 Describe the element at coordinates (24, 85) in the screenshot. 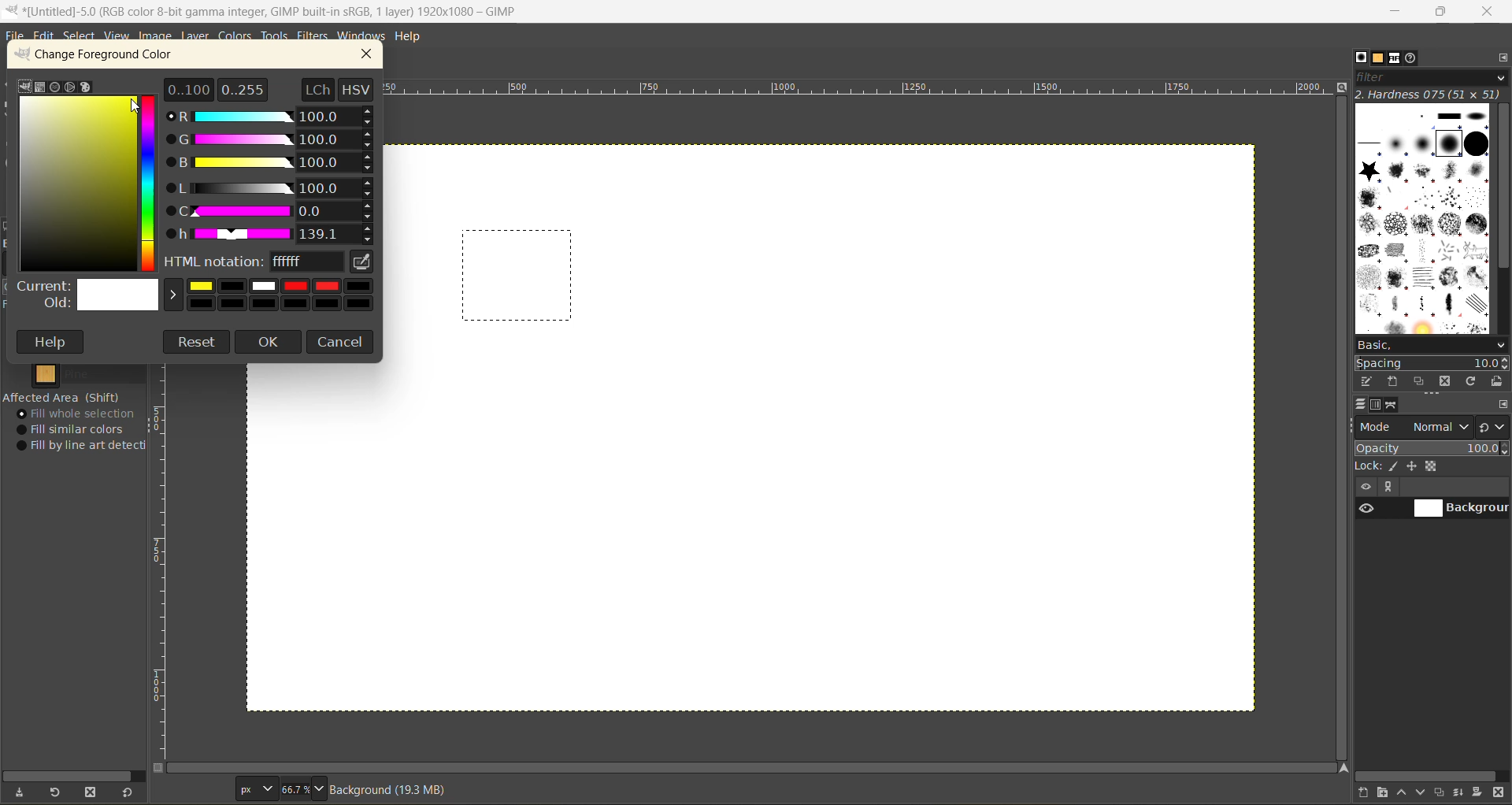

I see `gimp` at that location.